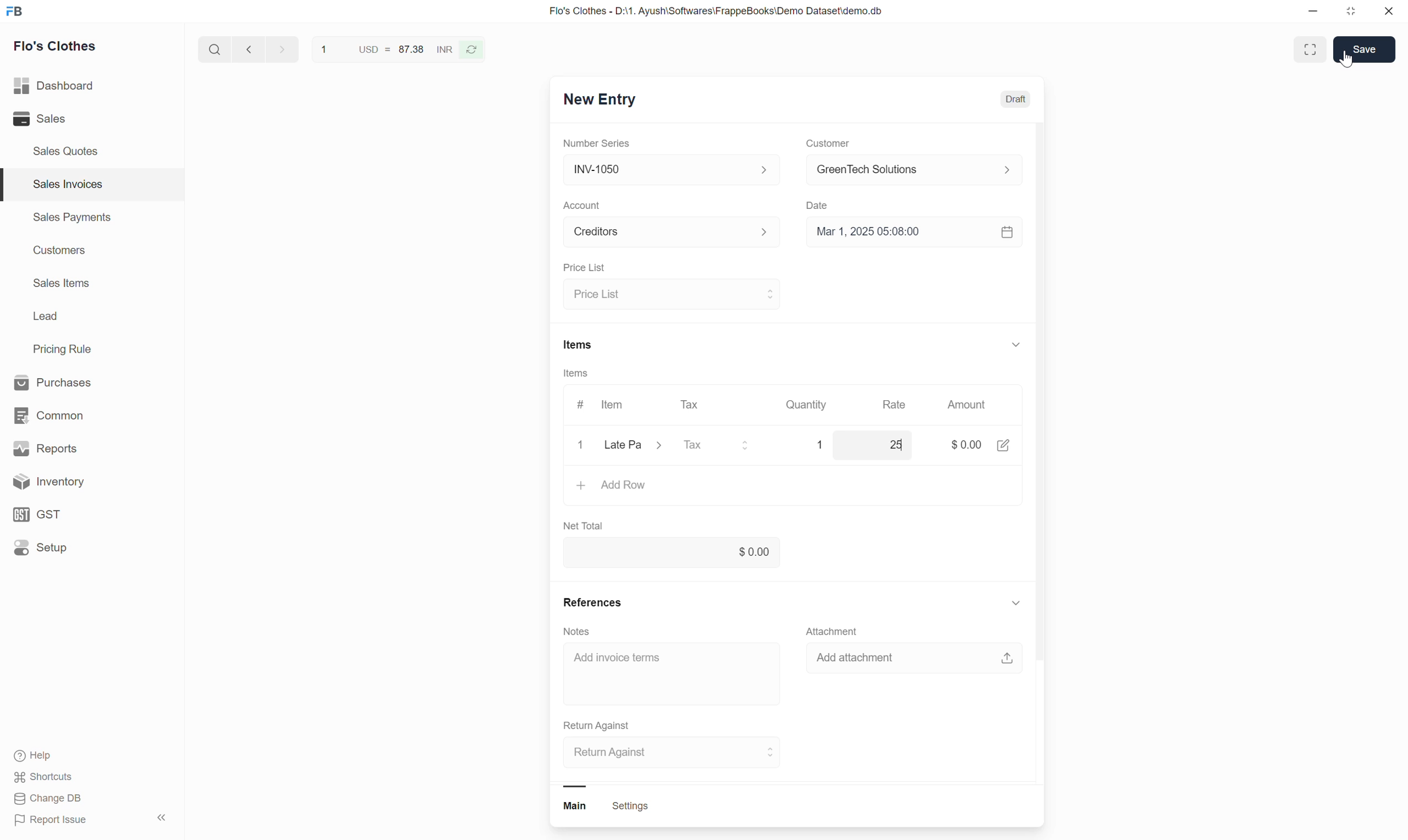 This screenshot has height=840, width=1408. What do you see at coordinates (605, 725) in the screenshot?
I see `Return Against` at bounding box center [605, 725].